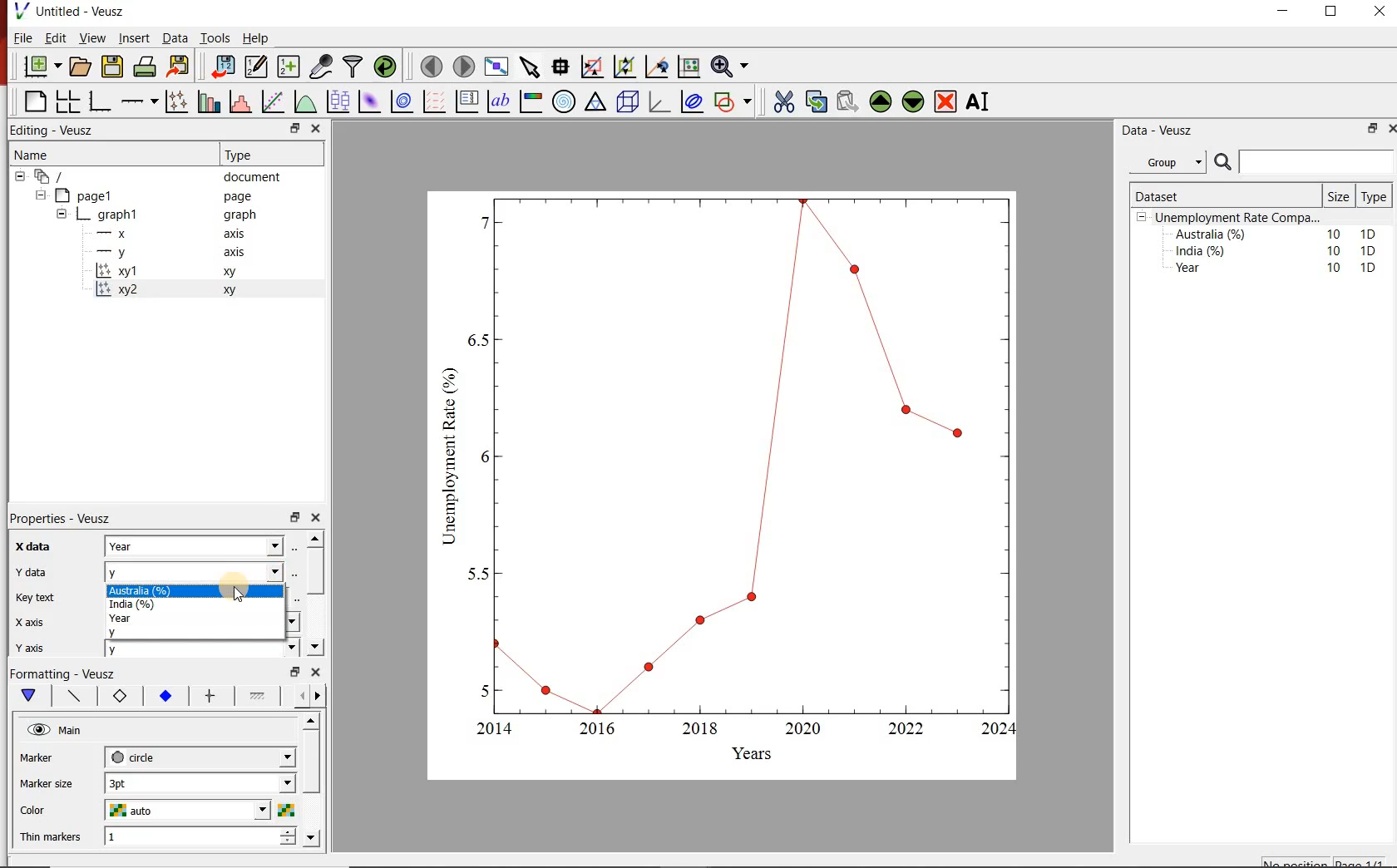 Image resolution: width=1397 pixels, height=868 pixels. Describe the element at coordinates (176, 101) in the screenshot. I see `plot points with lines and errorbars` at that location.